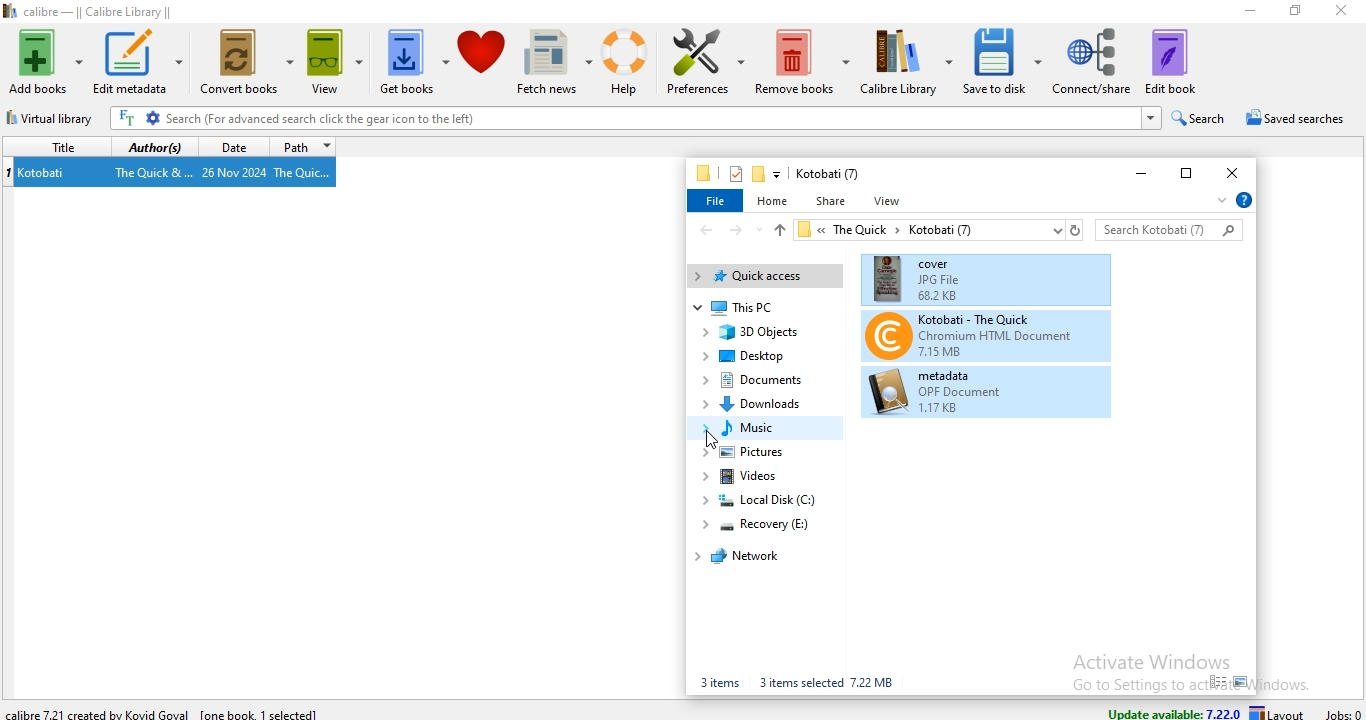  I want to click on minimise, so click(1135, 175).